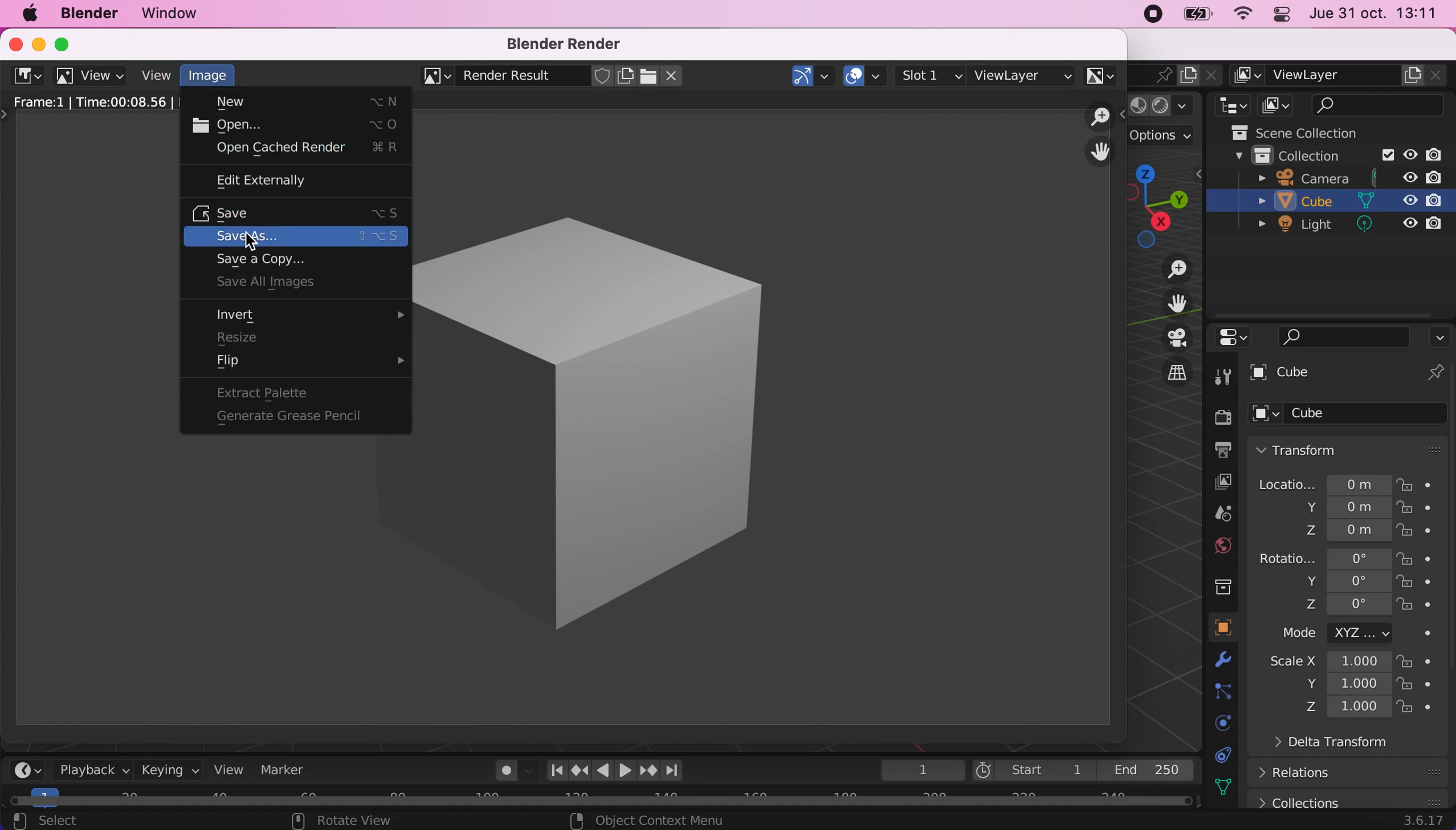  What do you see at coordinates (1229, 787) in the screenshot?
I see `texture` at bounding box center [1229, 787].